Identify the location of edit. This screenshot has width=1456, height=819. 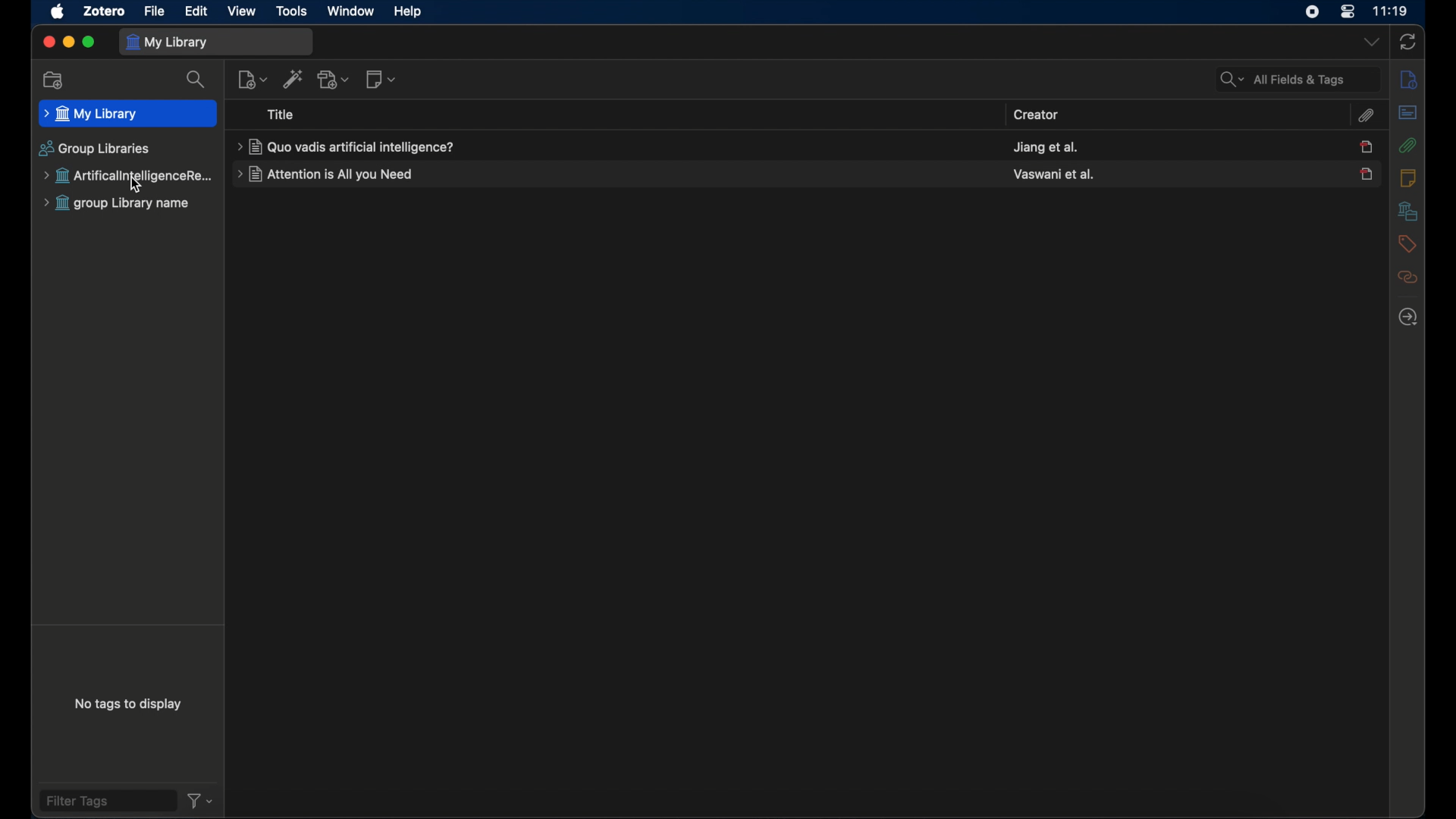
(197, 11).